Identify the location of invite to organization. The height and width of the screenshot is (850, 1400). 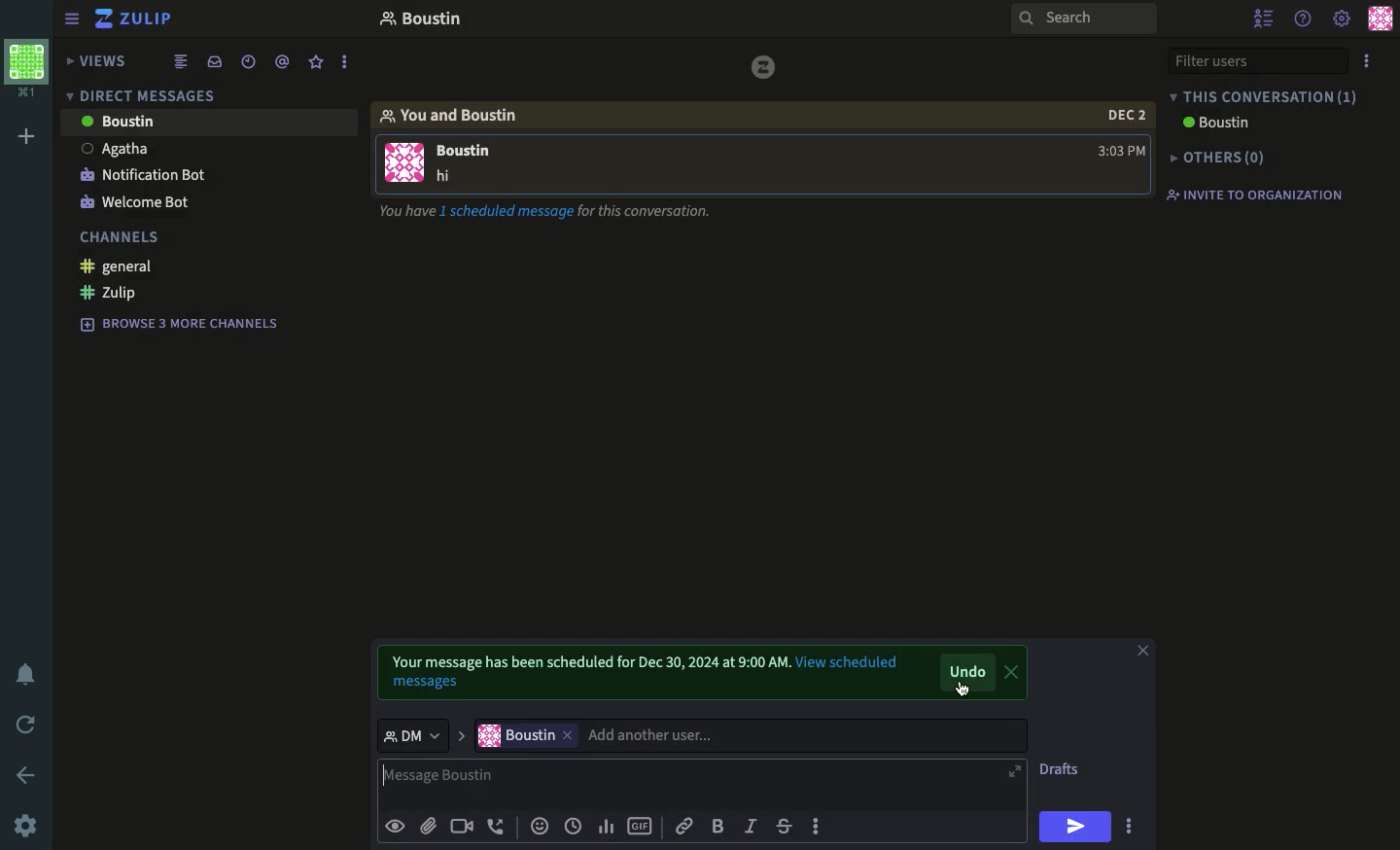
(1263, 194).